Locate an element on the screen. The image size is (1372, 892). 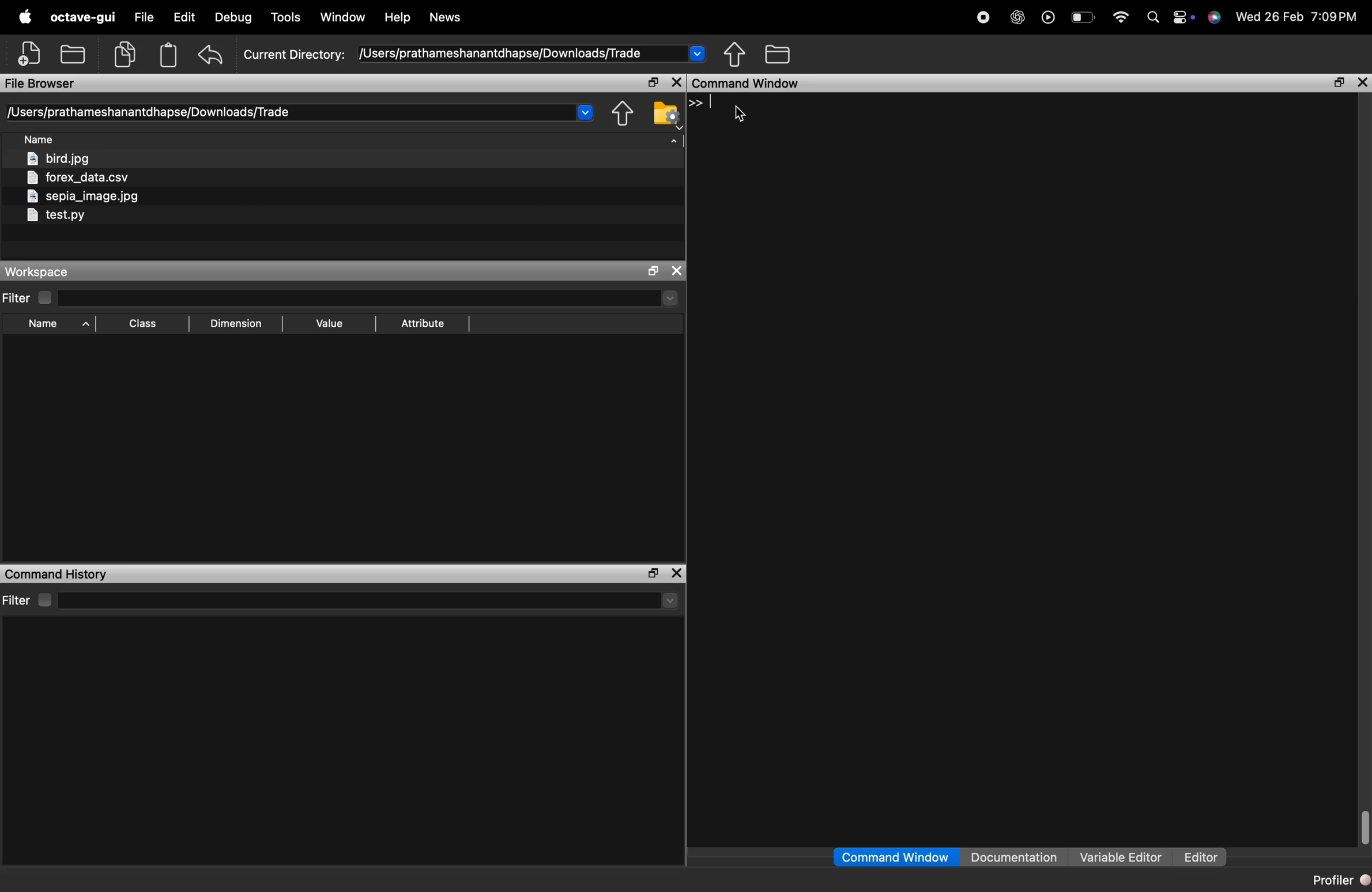
play is located at coordinates (1049, 19).